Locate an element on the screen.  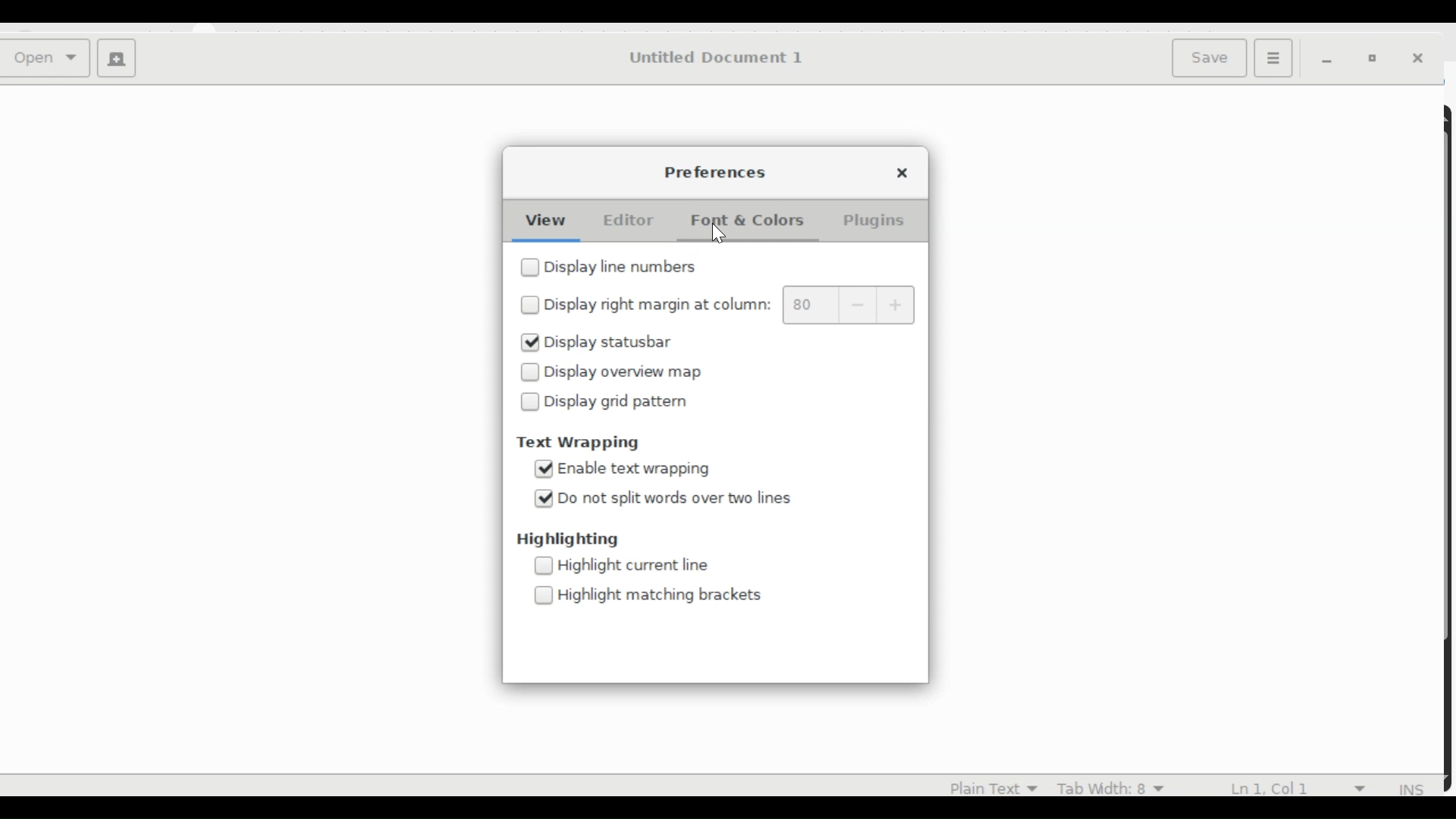
Close is located at coordinates (908, 172).